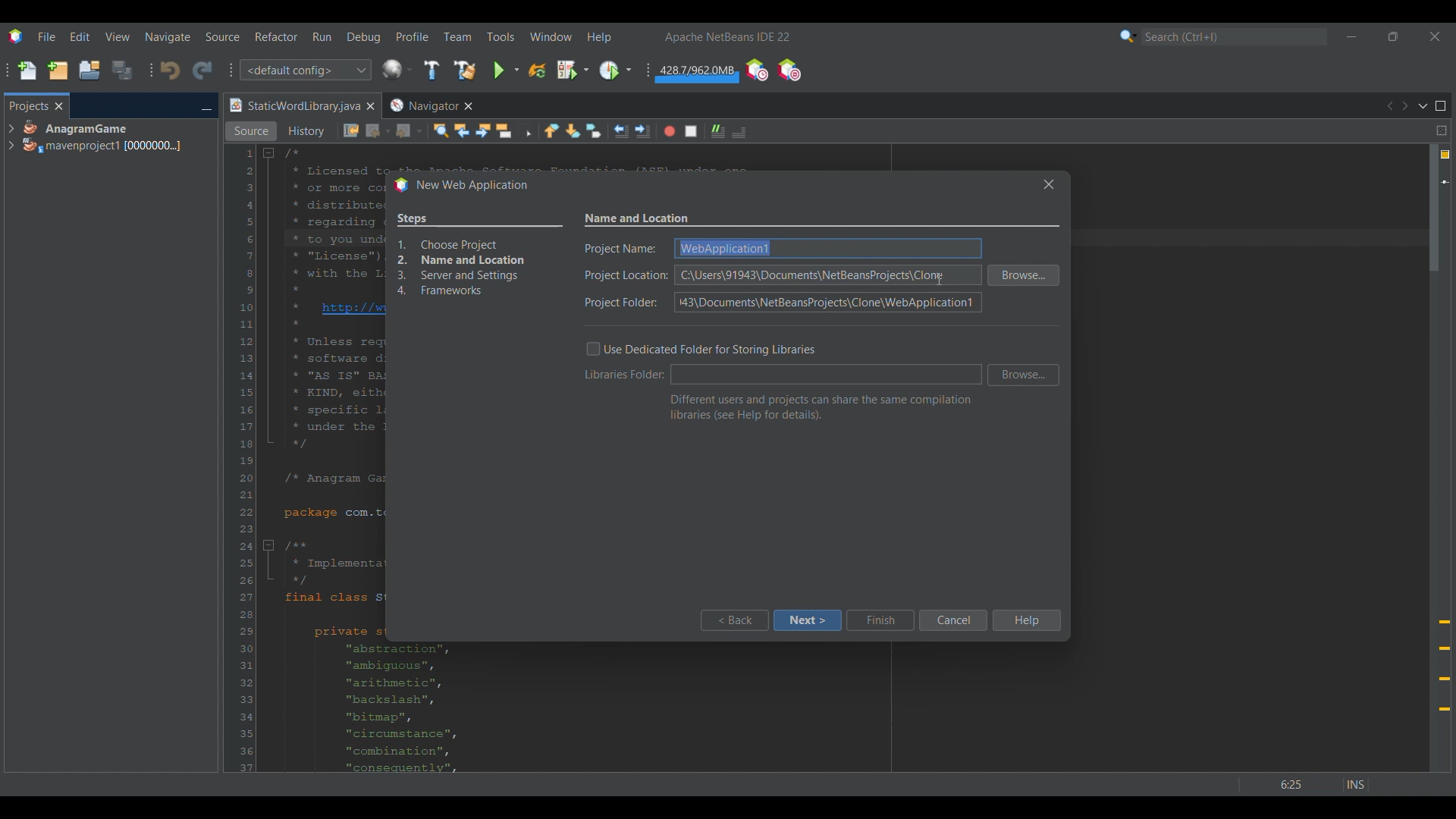 This screenshot has height=819, width=1456. I want to click on Maximize window, so click(1441, 106).